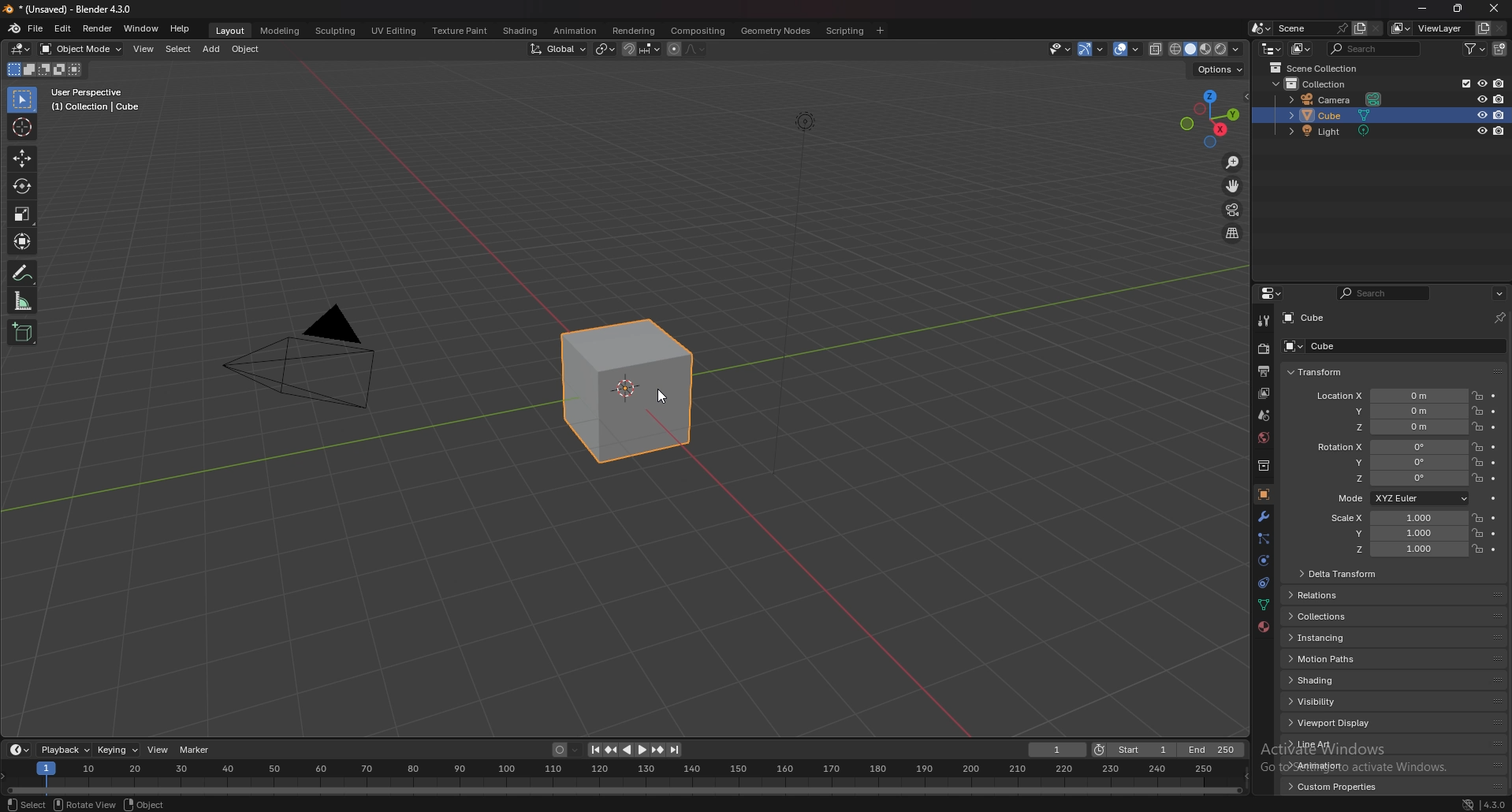  I want to click on viewpoint, so click(1210, 118).